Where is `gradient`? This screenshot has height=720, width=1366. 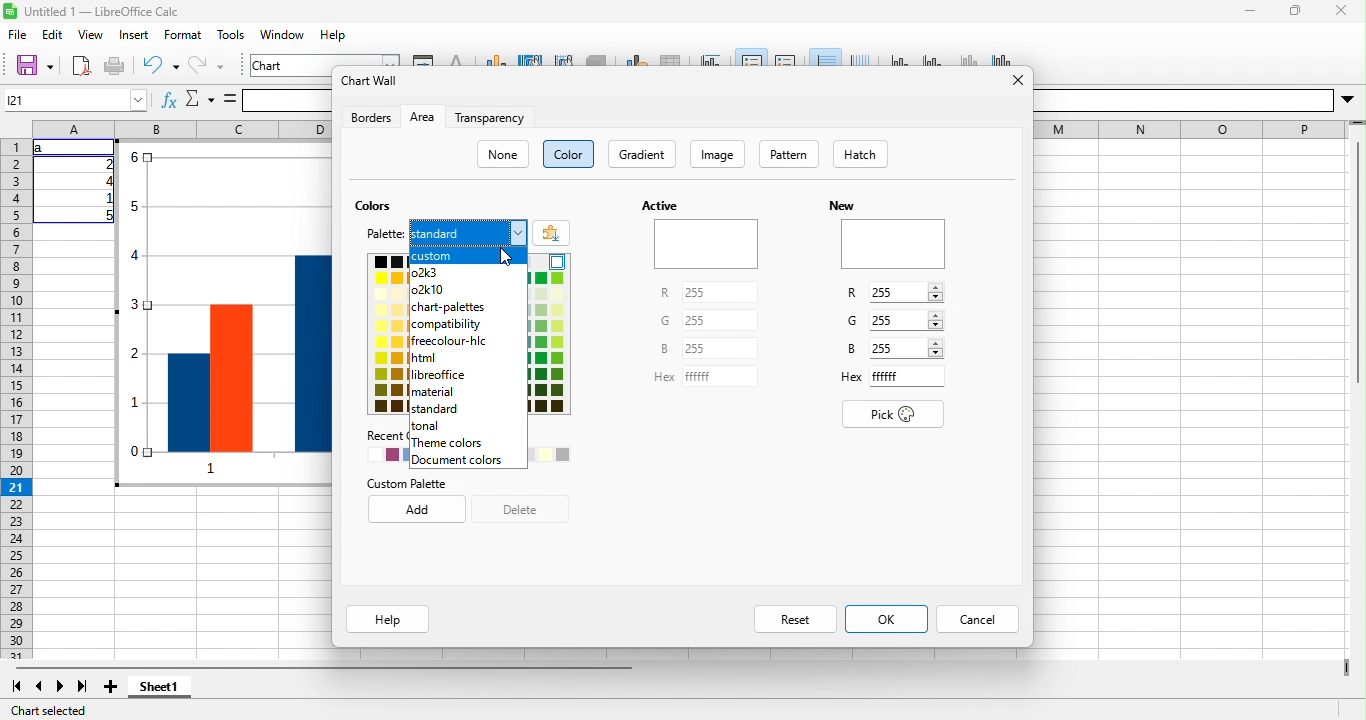
gradient is located at coordinates (642, 154).